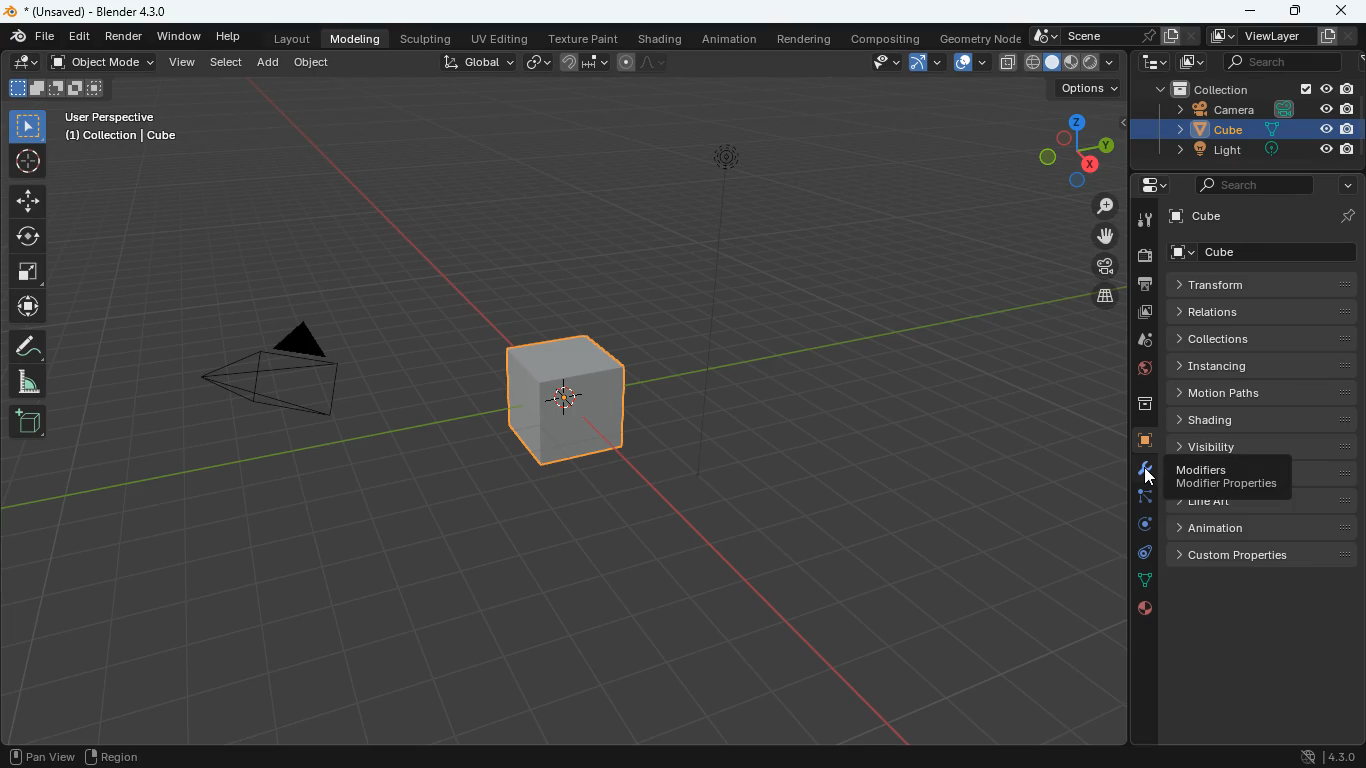 The width and height of the screenshot is (1366, 768). I want to click on shading, so click(1261, 419).